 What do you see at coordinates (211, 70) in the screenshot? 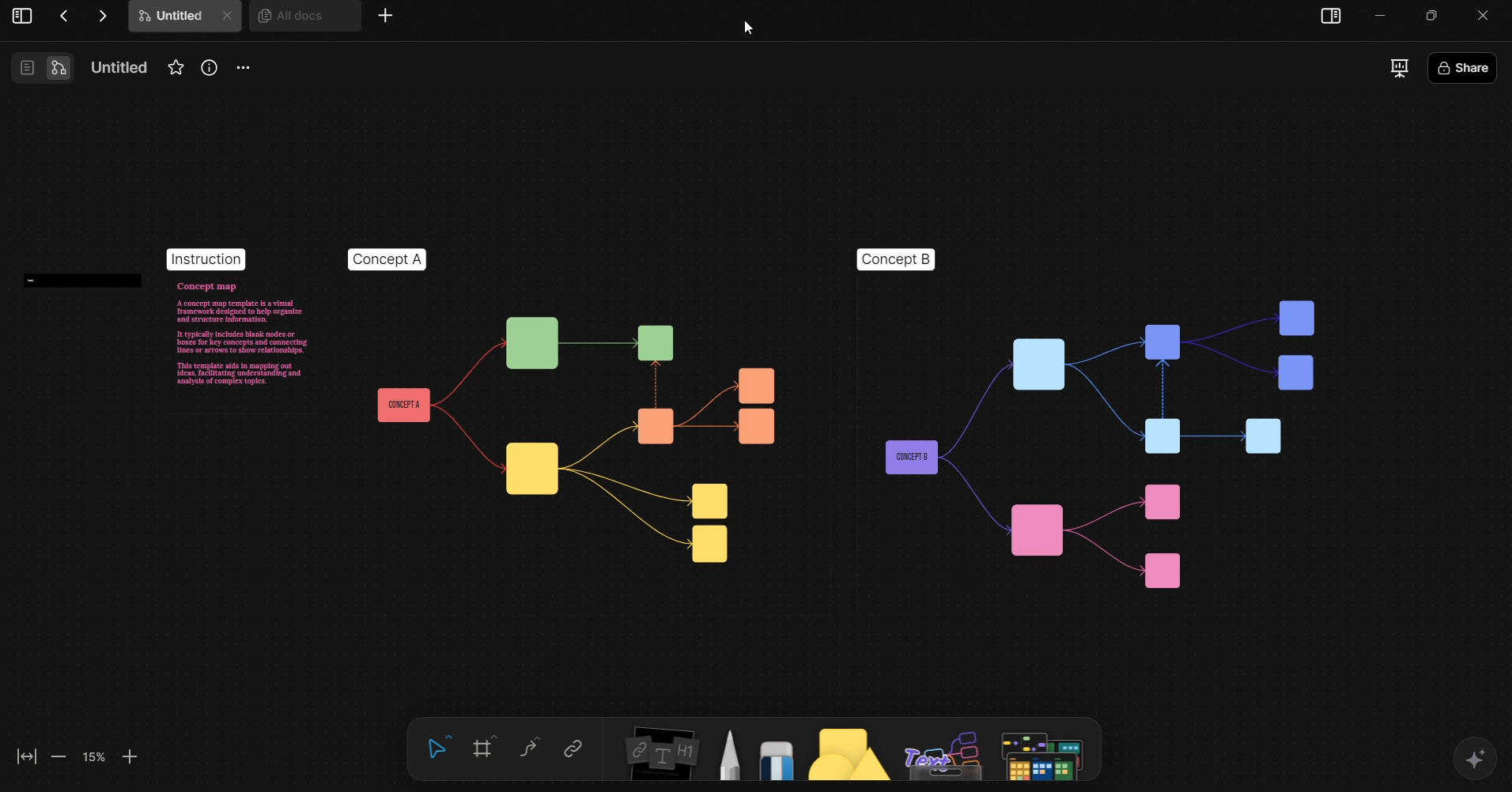
I see `Info` at bounding box center [211, 70].